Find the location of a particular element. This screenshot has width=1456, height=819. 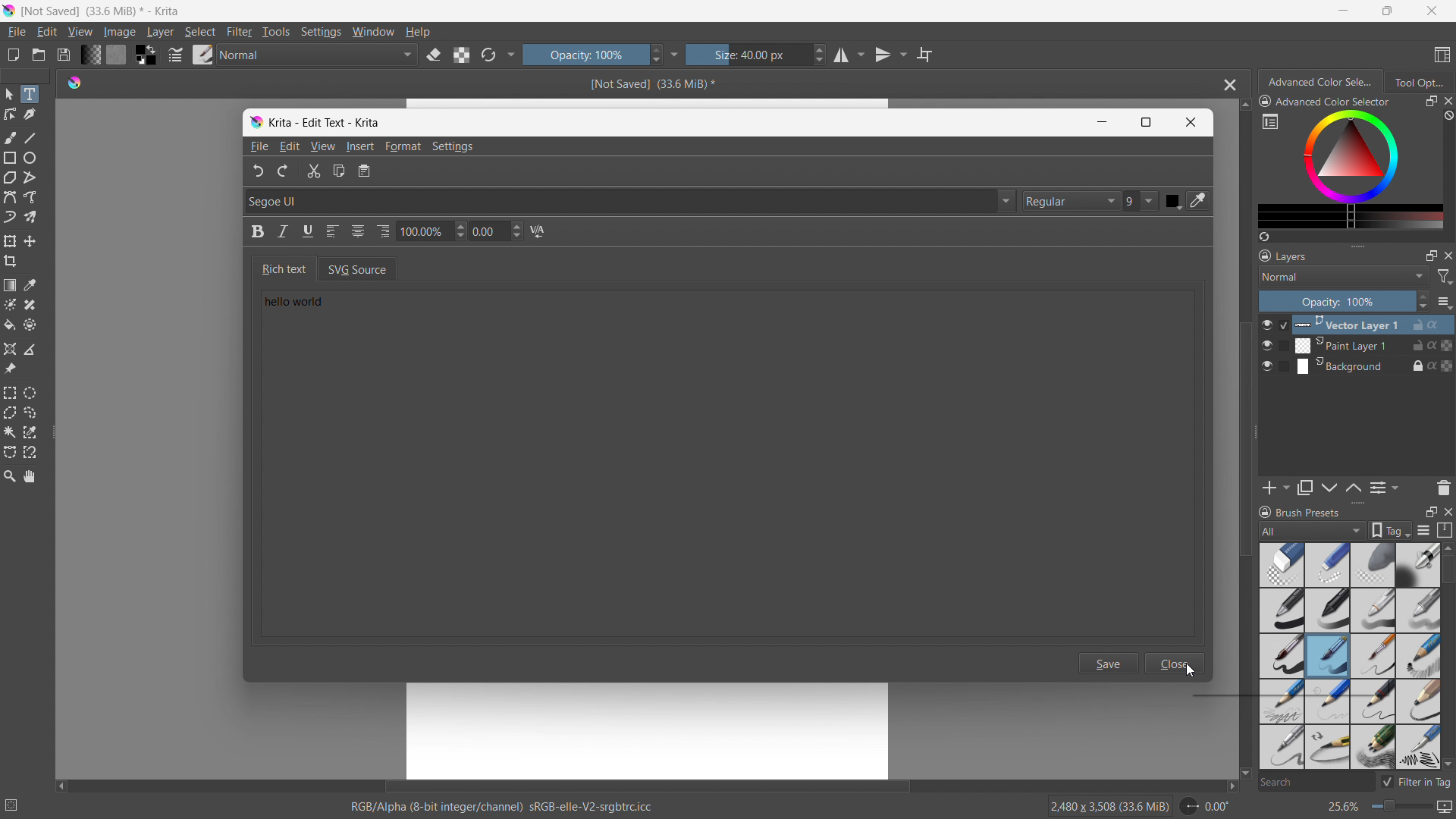

light blur is located at coordinates (1327, 565).